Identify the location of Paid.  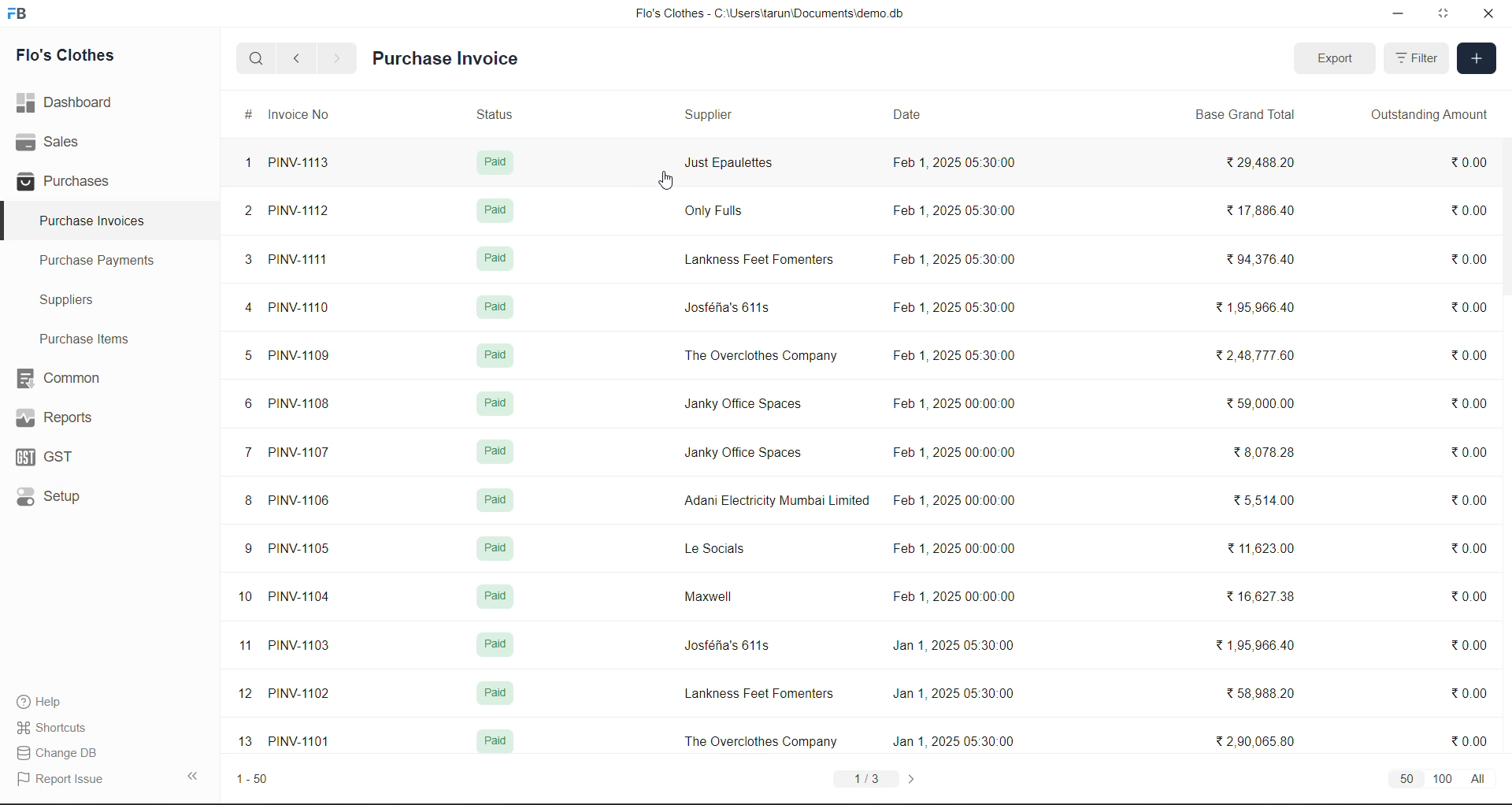
(498, 592).